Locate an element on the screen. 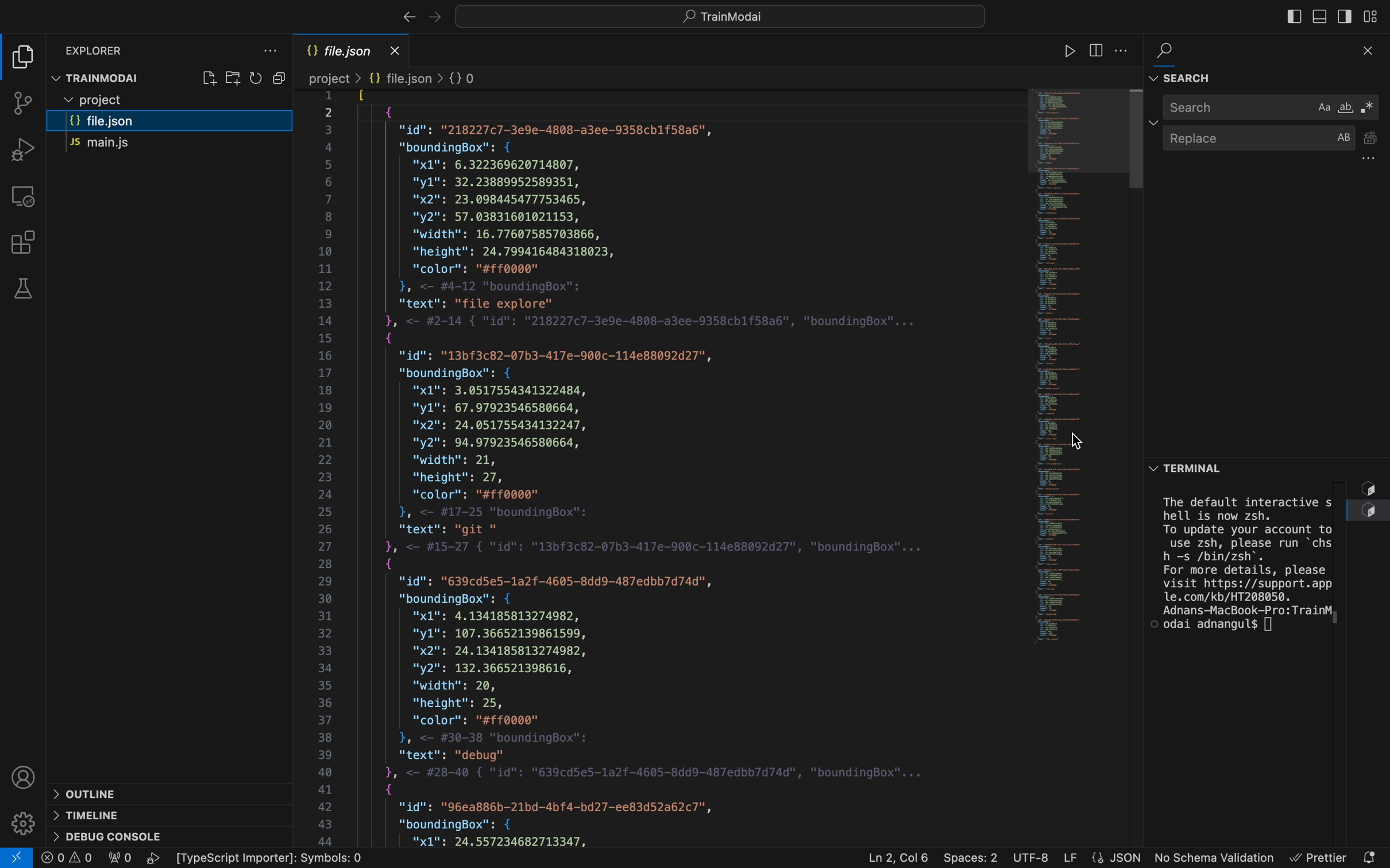 The height and width of the screenshot is (868, 1390). tests is located at coordinates (22, 288).